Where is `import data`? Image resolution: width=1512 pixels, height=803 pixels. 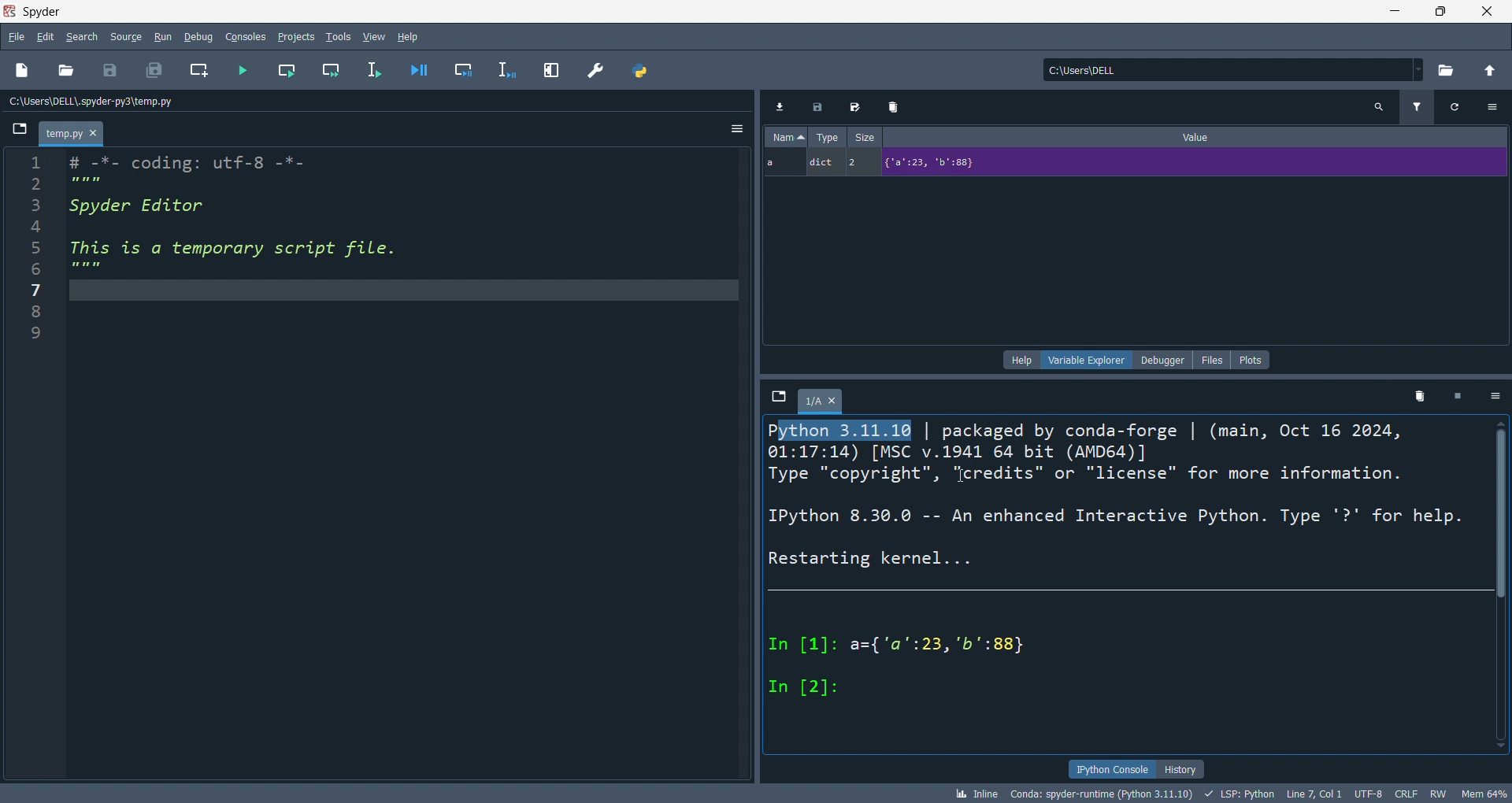
import data is located at coordinates (779, 106).